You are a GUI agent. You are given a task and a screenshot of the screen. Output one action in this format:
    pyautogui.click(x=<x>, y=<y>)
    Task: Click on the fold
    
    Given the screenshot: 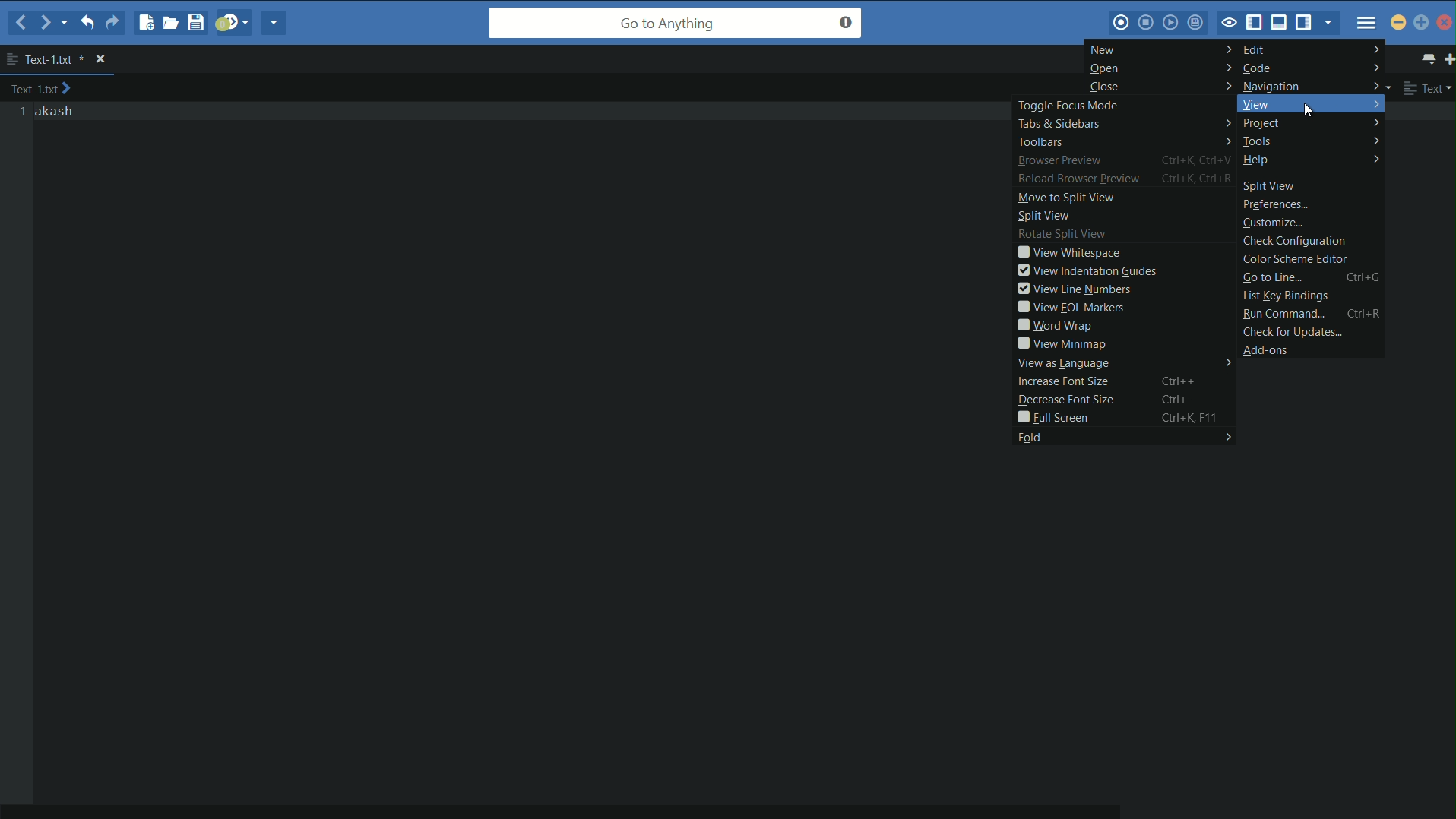 What is the action you would take?
    pyautogui.click(x=1123, y=436)
    